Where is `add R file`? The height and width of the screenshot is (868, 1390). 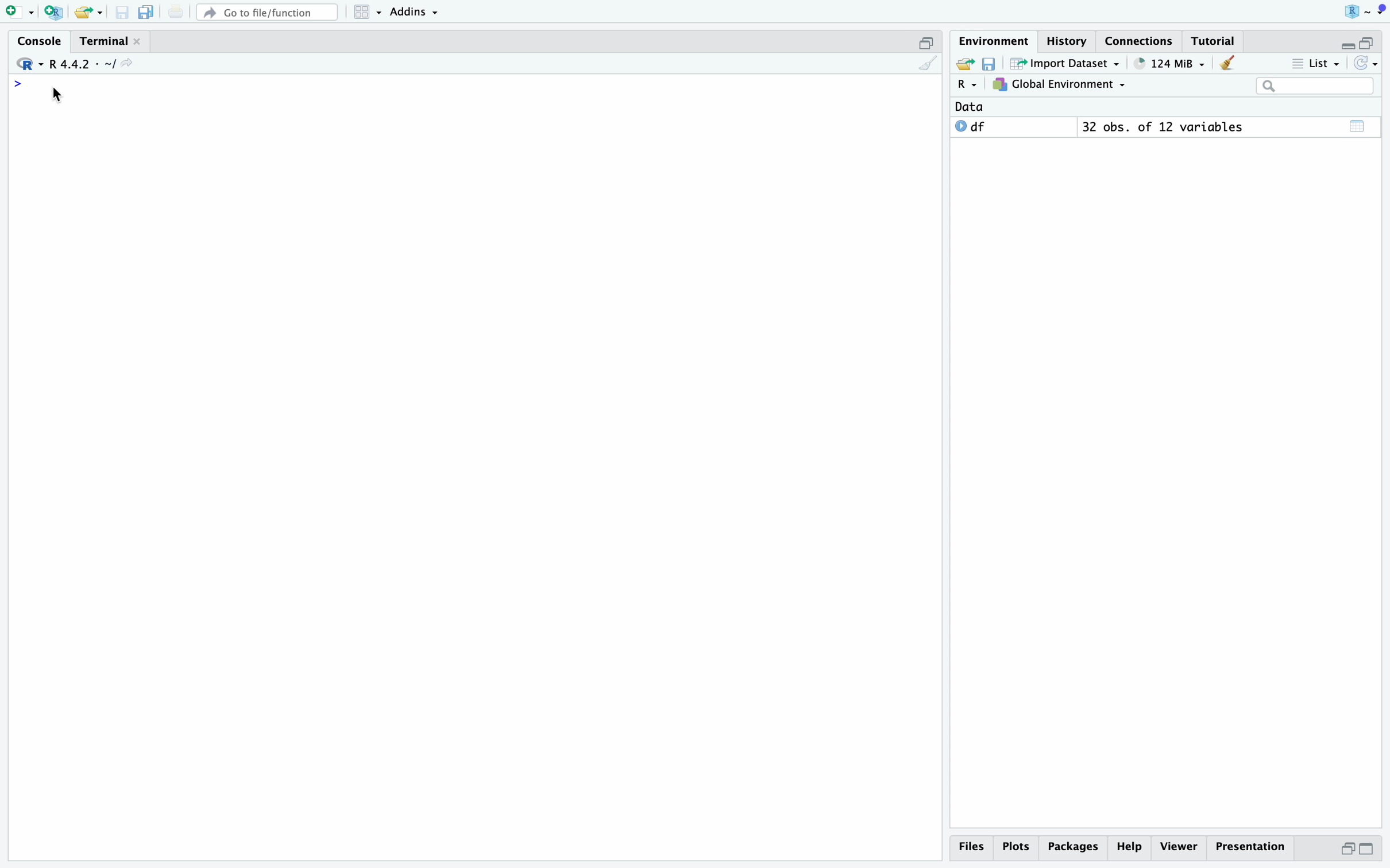
add R file is located at coordinates (55, 13).